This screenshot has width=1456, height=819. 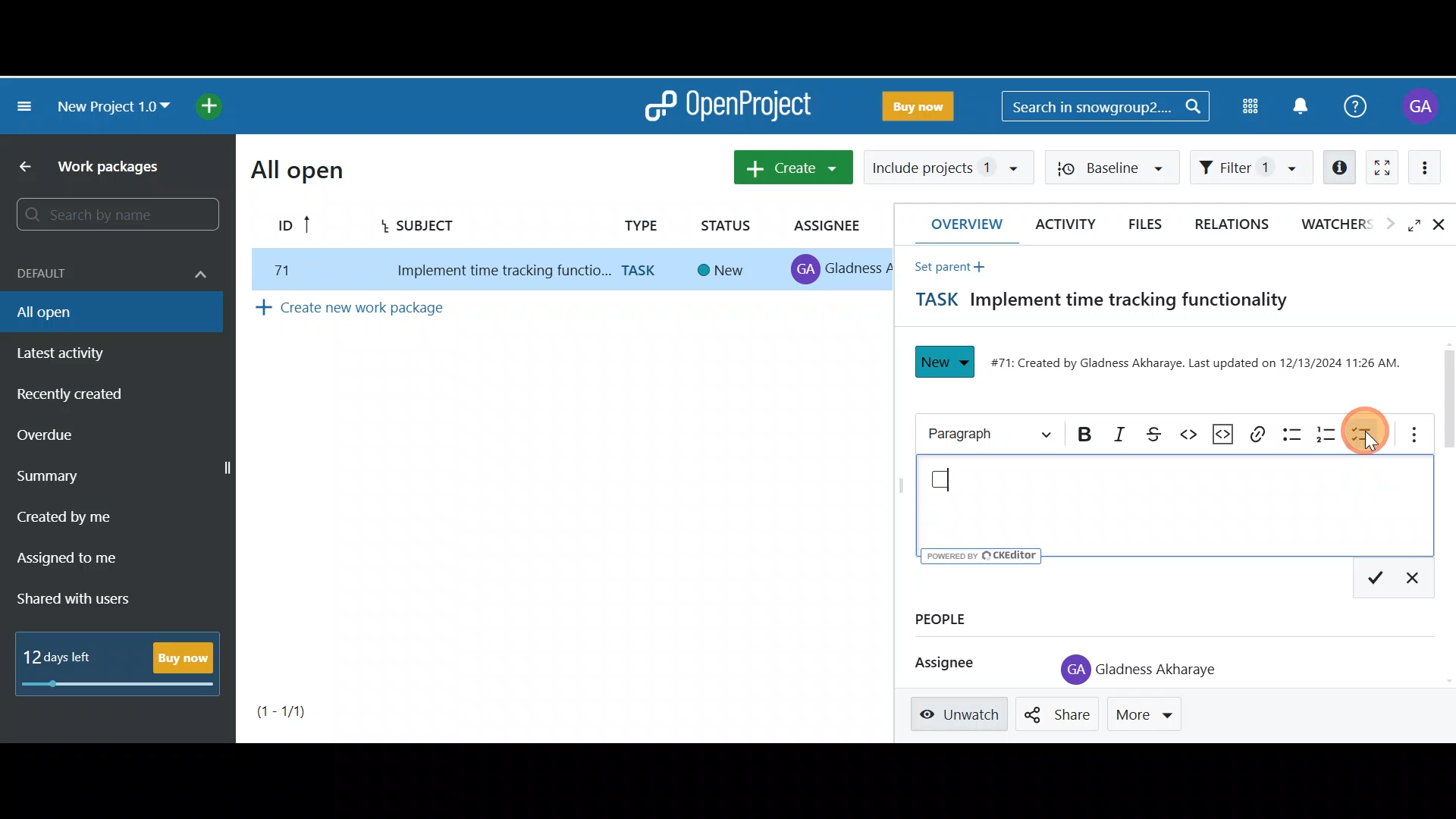 What do you see at coordinates (94, 315) in the screenshot?
I see `All open` at bounding box center [94, 315].